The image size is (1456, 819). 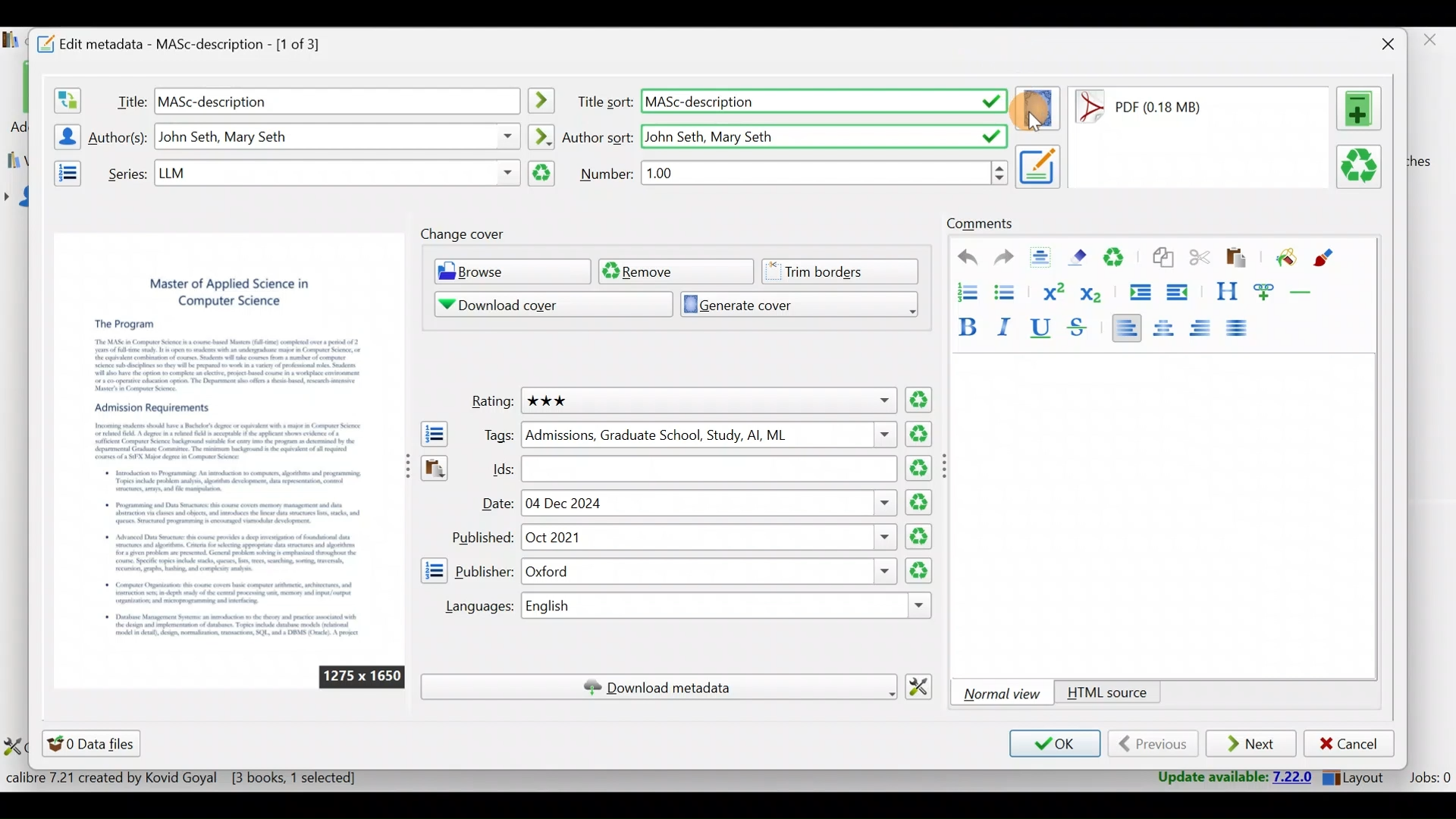 What do you see at coordinates (94, 743) in the screenshot?
I see `Data files` at bounding box center [94, 743].